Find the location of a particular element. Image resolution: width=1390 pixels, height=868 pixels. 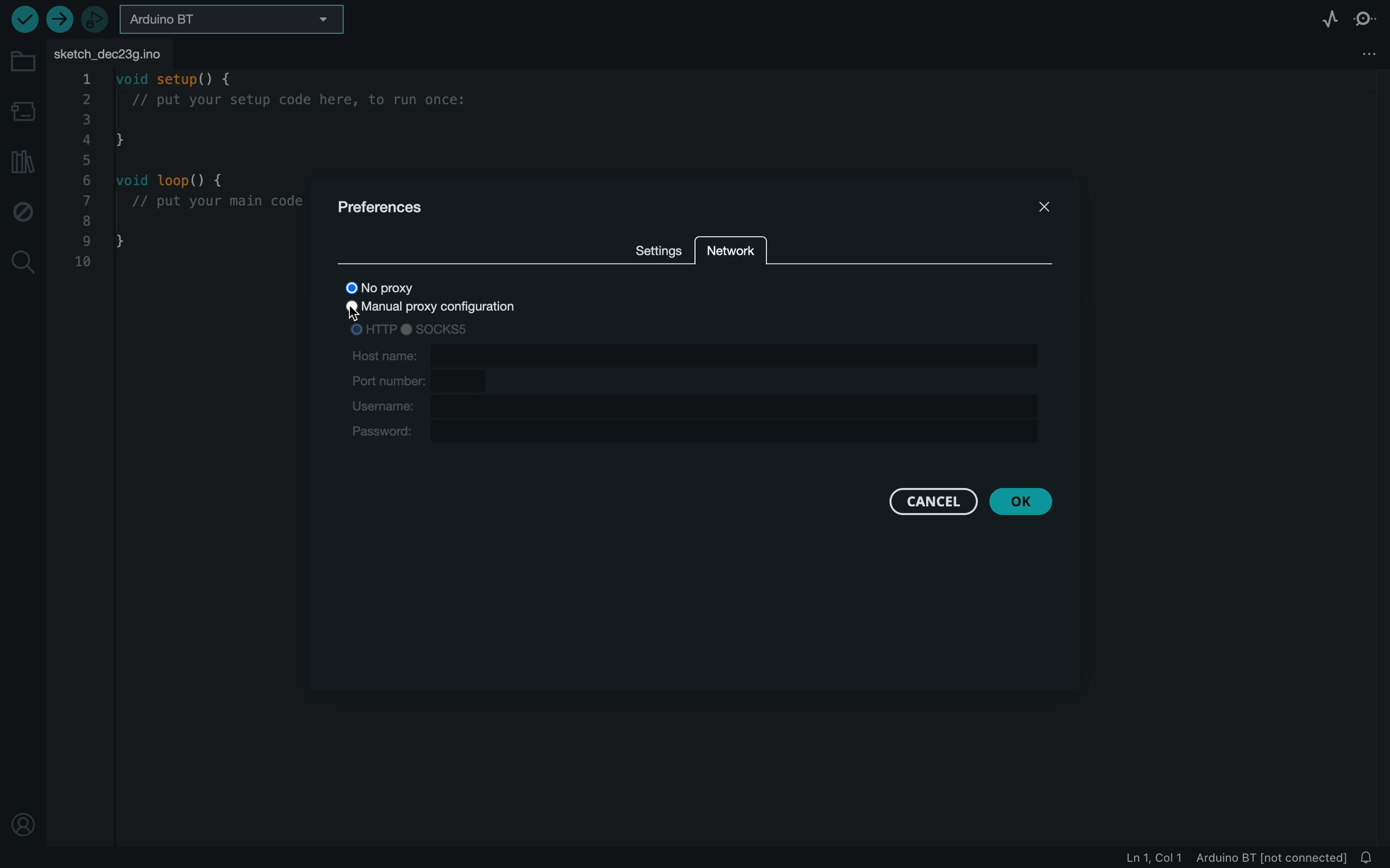

port number is located at coordinates (421, 381).